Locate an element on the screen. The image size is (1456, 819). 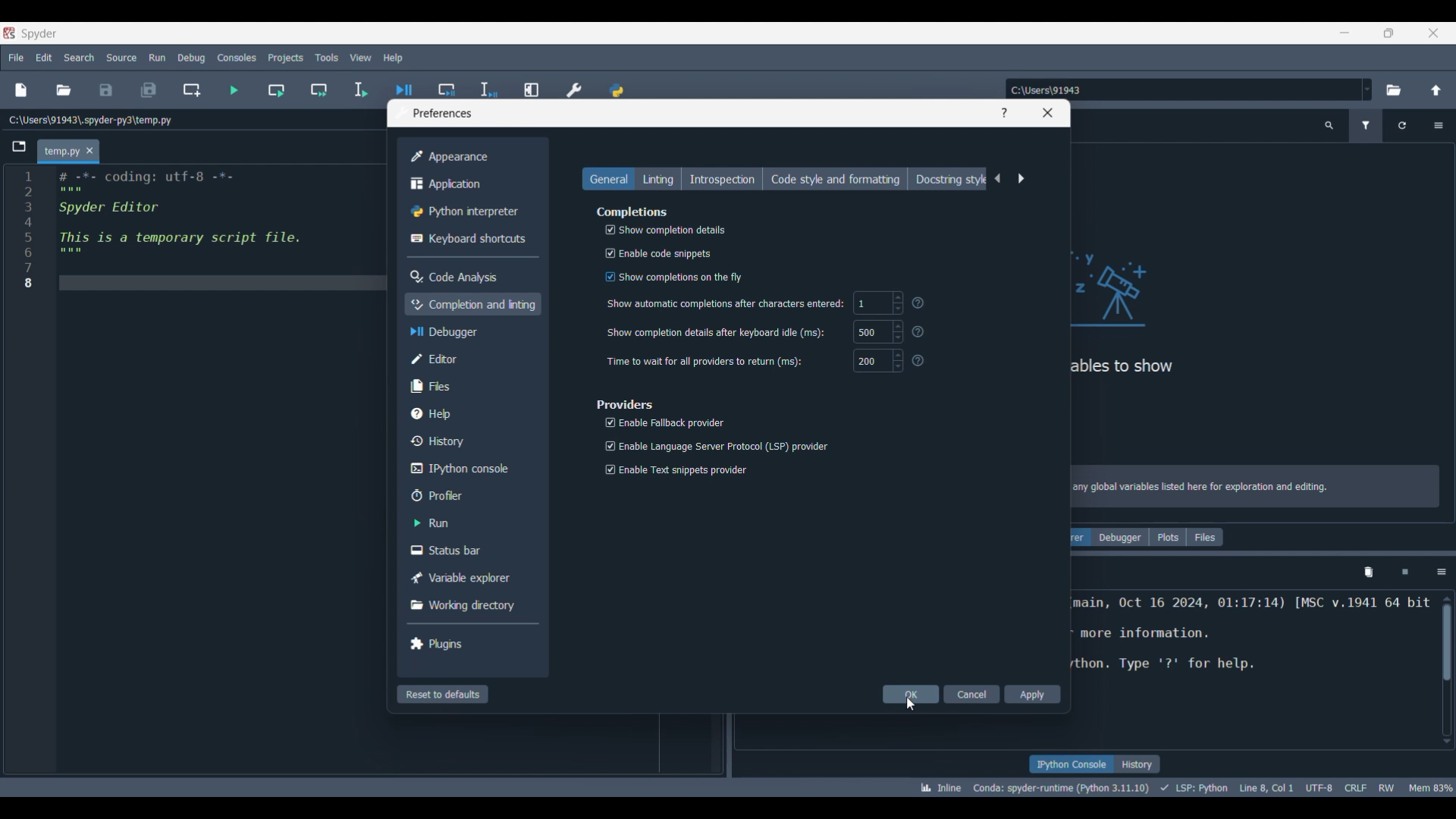
Save all files is located at coordinates (149, 90).